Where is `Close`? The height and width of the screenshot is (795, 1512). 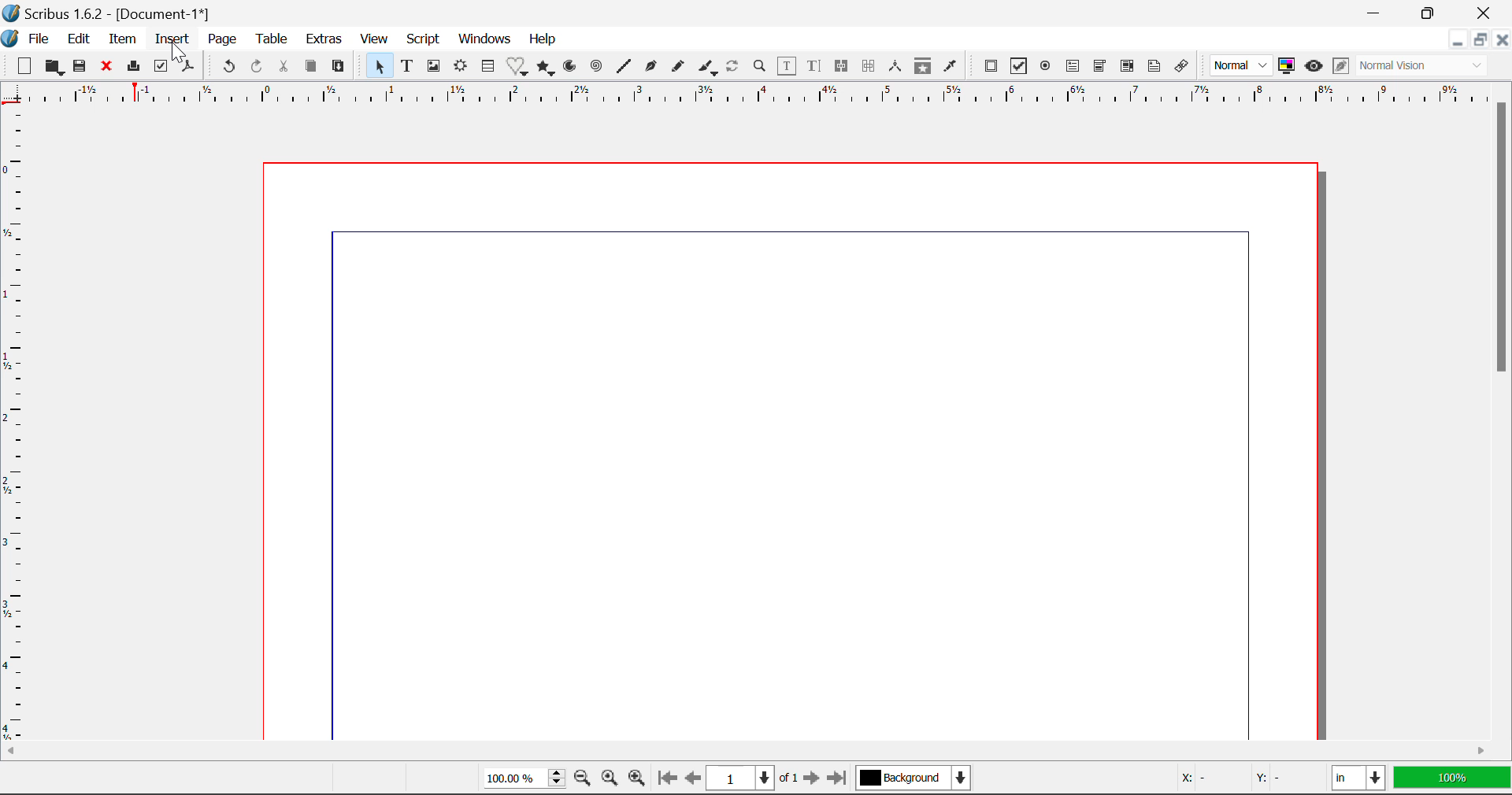 Close is located at coordinates (1503, 42).